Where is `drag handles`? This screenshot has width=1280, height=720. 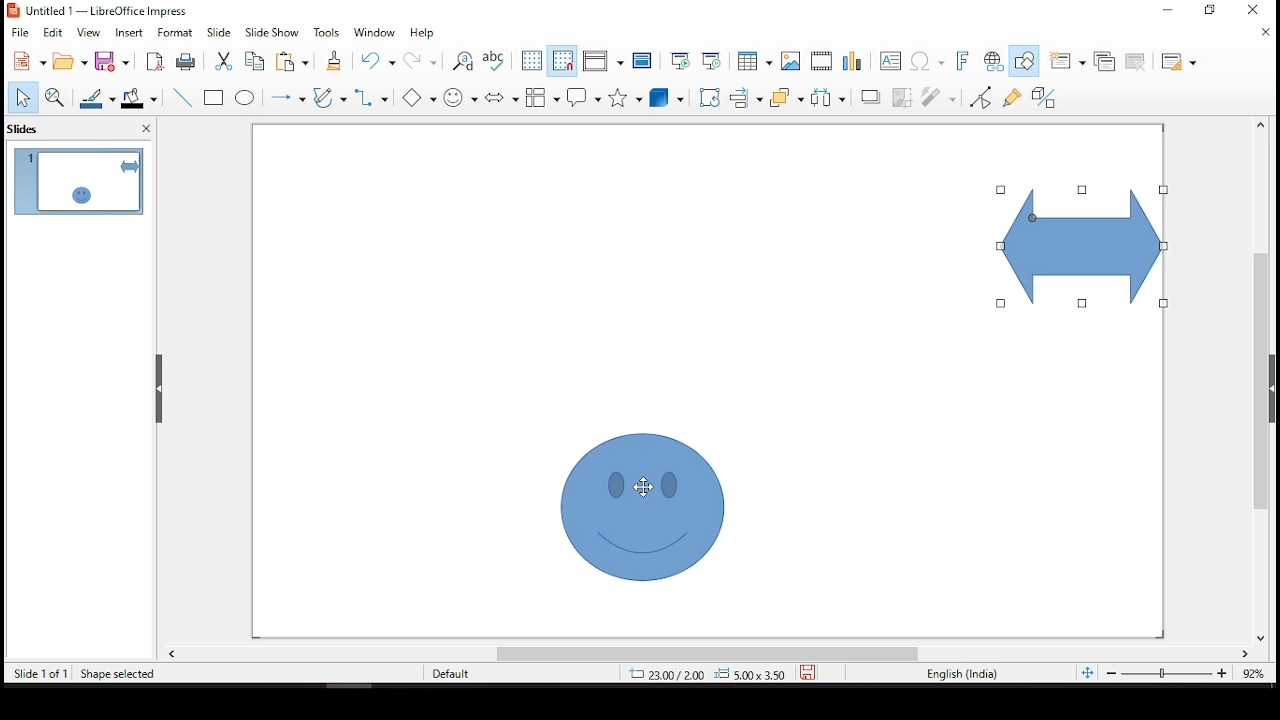
drag handles is located at coordinates (161, 389).